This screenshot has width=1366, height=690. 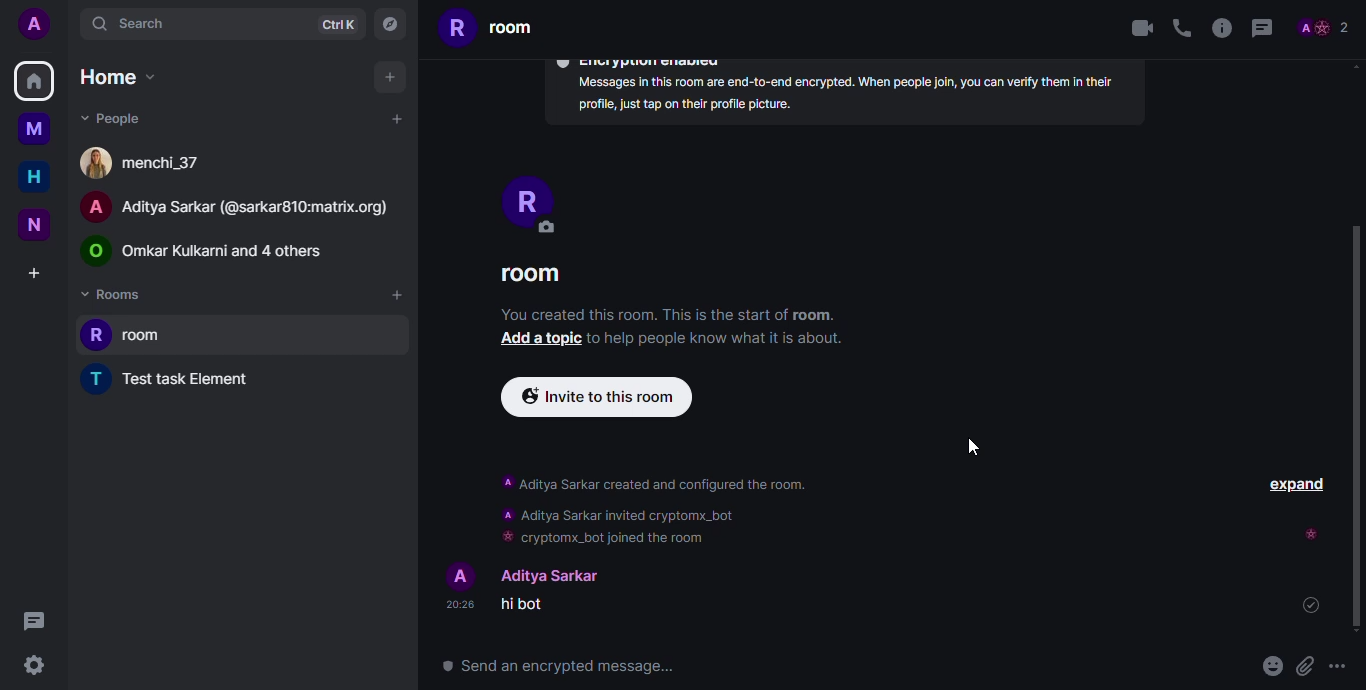 What do you see at coordinates (457, 576) in the screenshot?
I see `profile` at bounding box center [457, 576].